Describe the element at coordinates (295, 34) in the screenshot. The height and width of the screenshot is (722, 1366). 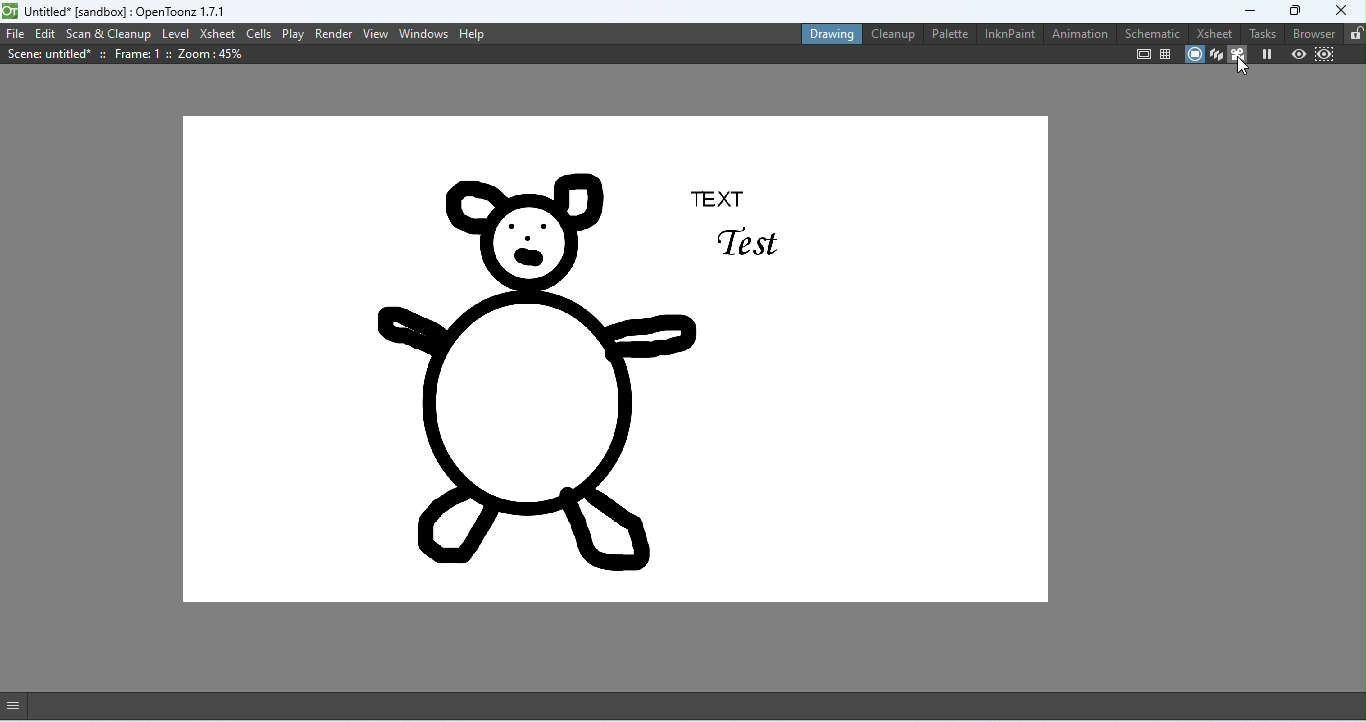
I see `play` at that location.